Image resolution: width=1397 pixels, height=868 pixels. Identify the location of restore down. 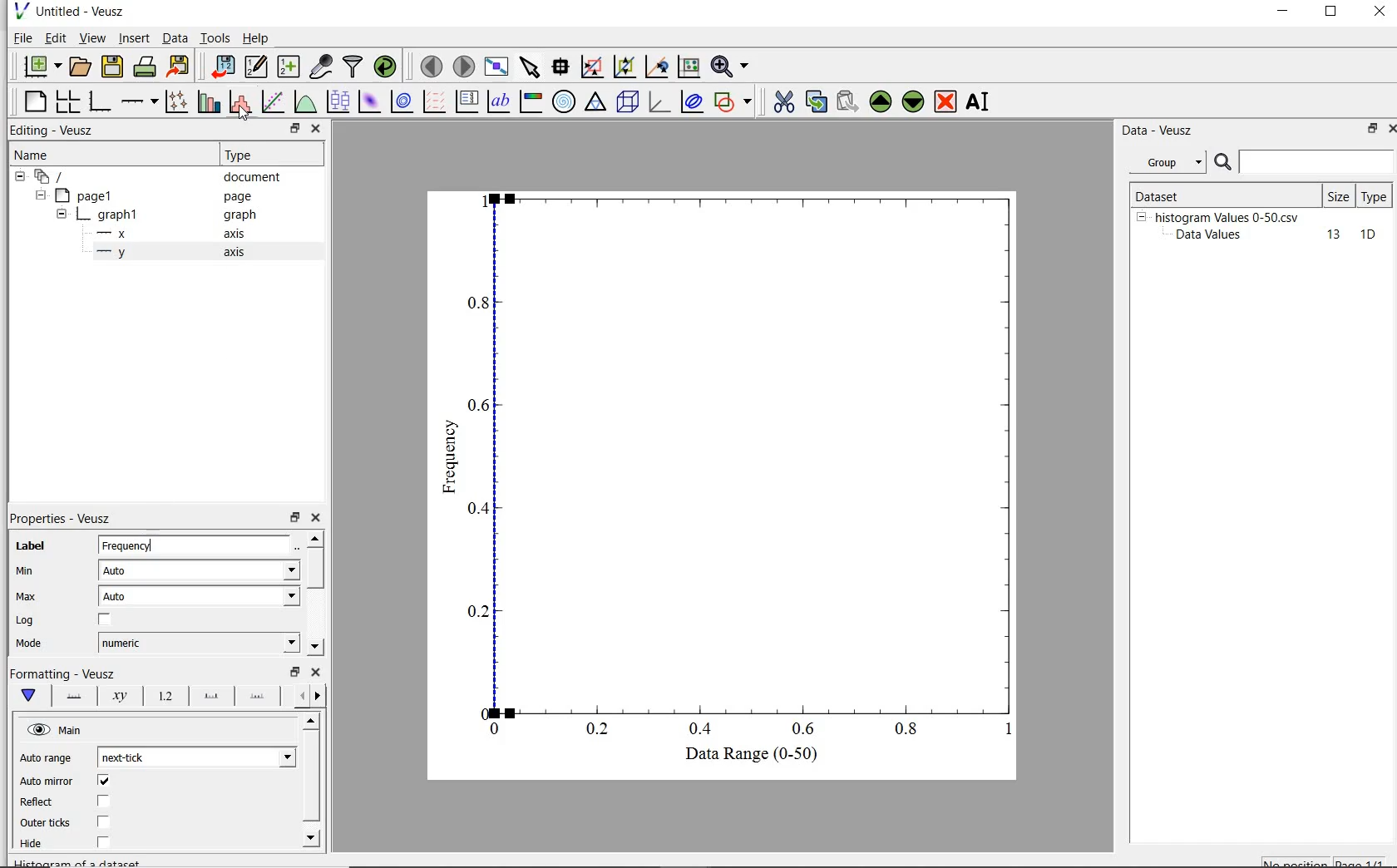
(1331, 13).